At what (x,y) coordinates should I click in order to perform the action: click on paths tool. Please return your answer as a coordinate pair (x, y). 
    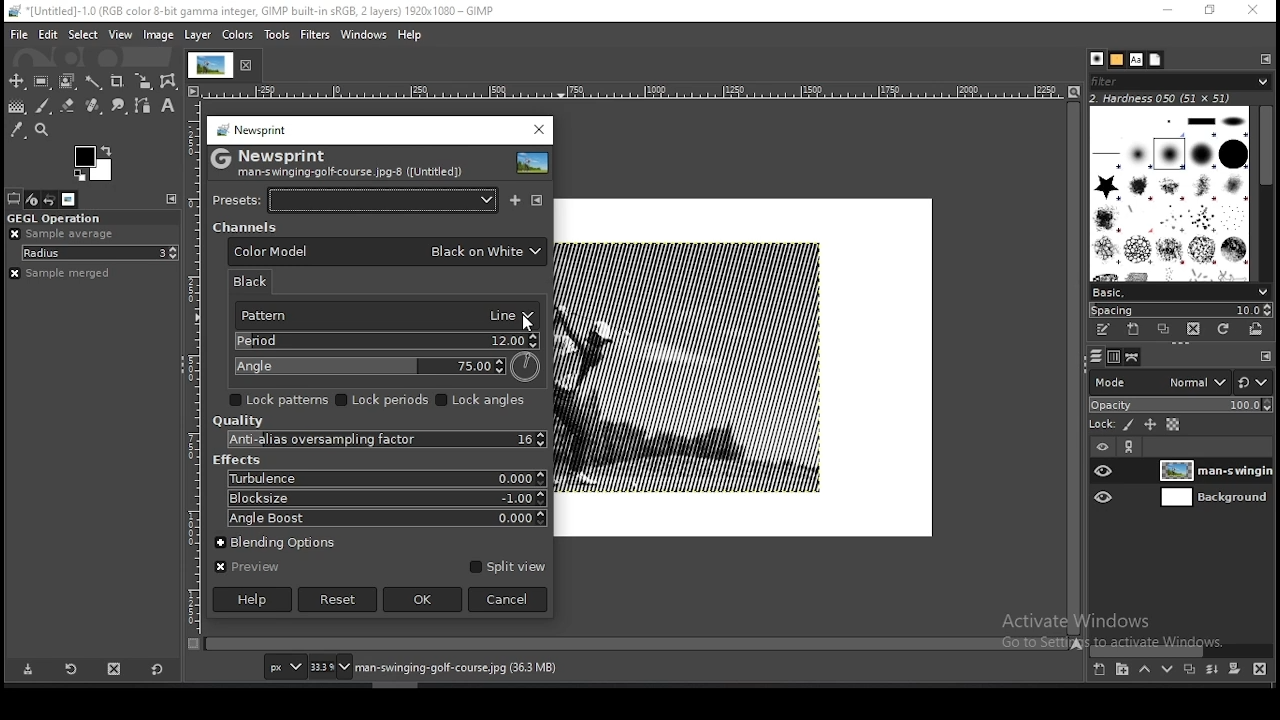
    Looking at the image, I should click on (141, 105).